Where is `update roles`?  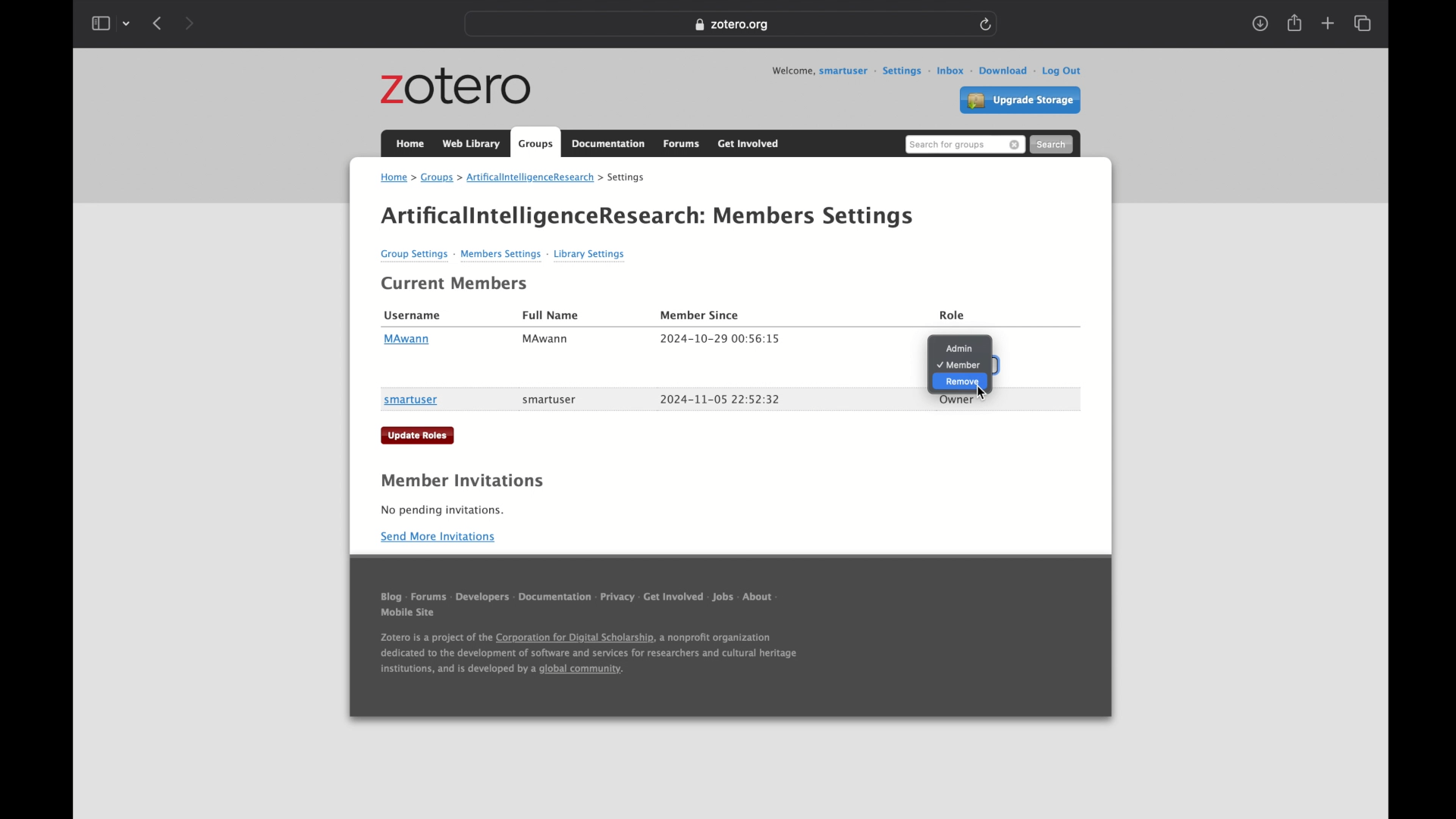
update roles is located at coordinates (419, 435).